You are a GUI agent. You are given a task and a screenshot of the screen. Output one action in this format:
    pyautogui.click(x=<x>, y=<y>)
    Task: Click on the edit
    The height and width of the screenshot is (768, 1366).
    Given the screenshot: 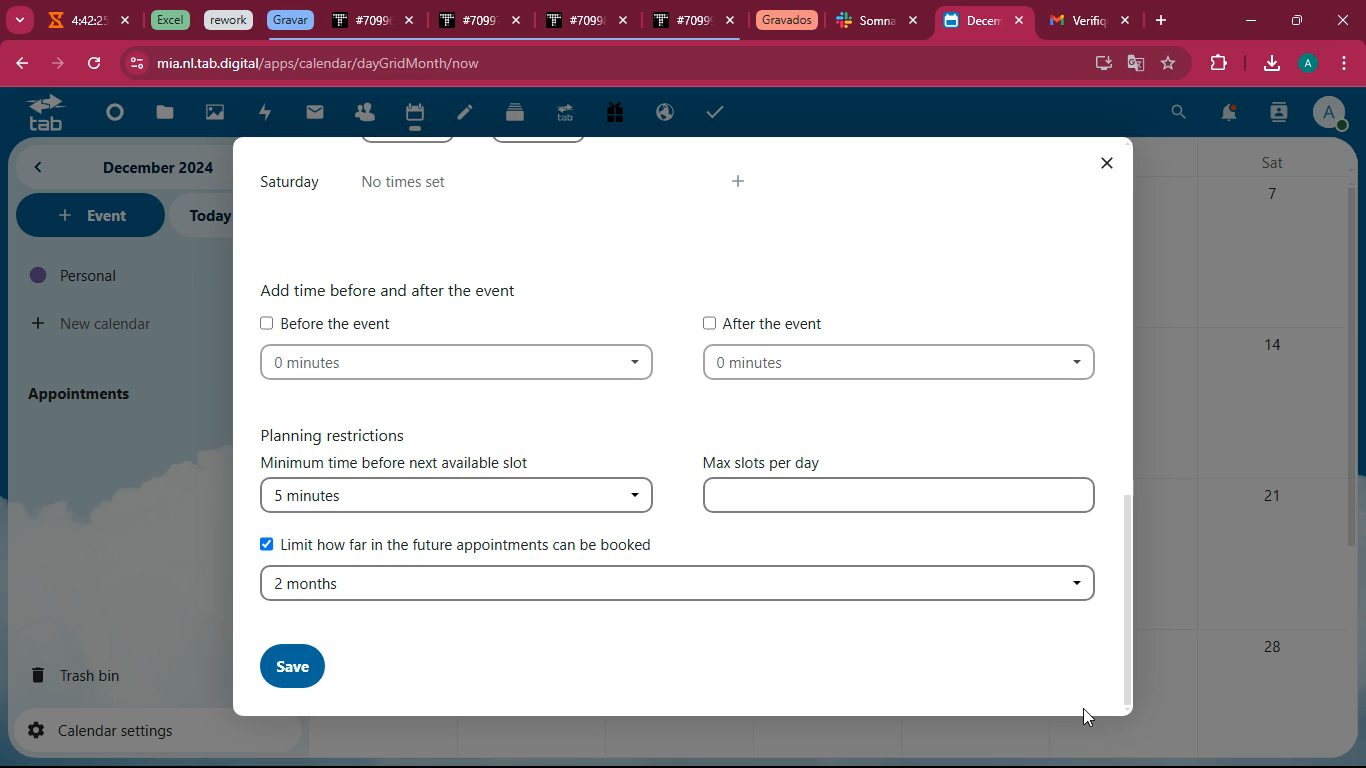 What is the action you would take?
    pyautogui.click(x=465, y=115)
    